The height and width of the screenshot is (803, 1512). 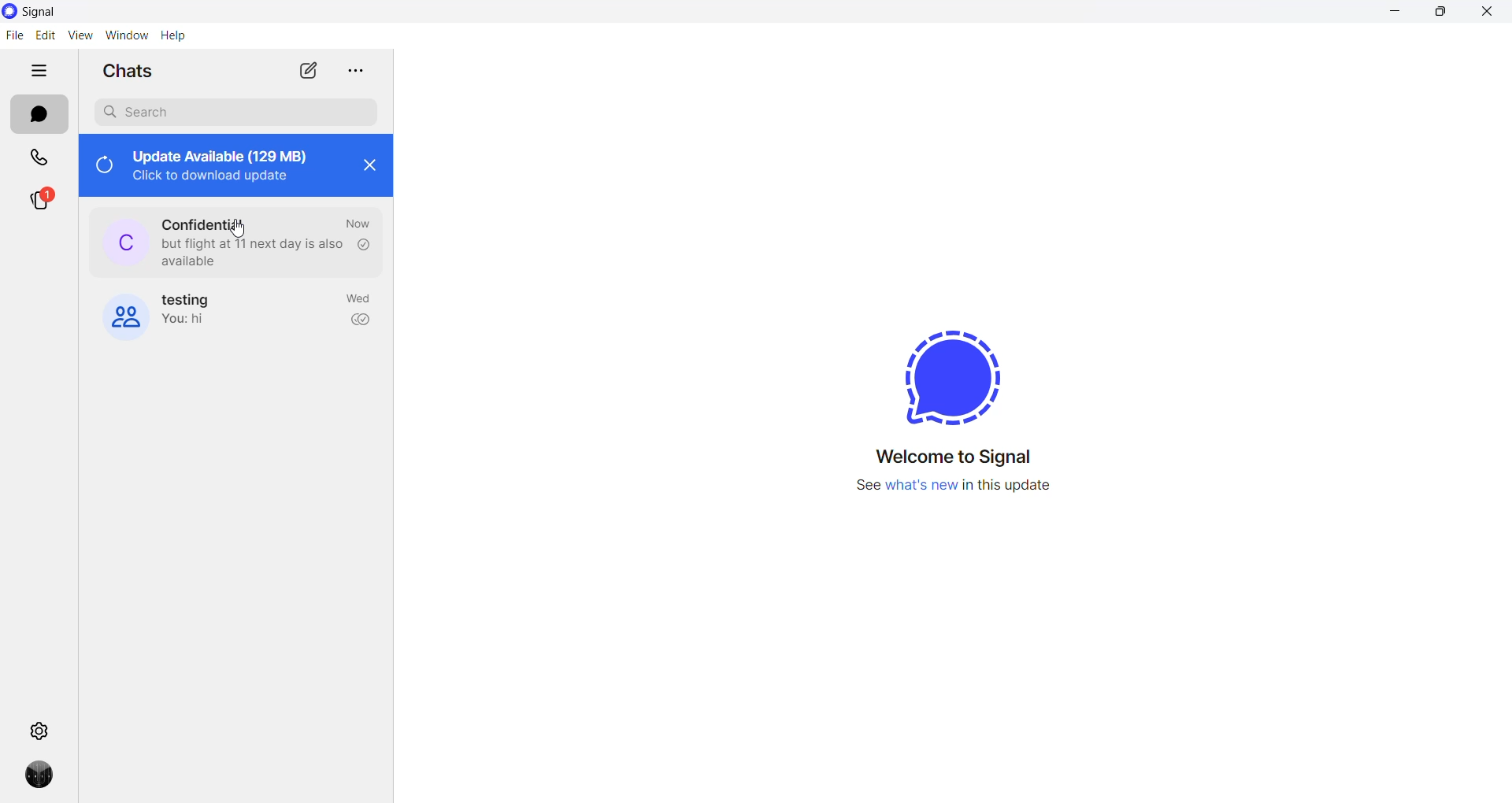 What do you see at coordinates (41, 205) in the screenshot?
I see `stories` at bounding box center [41, 205].